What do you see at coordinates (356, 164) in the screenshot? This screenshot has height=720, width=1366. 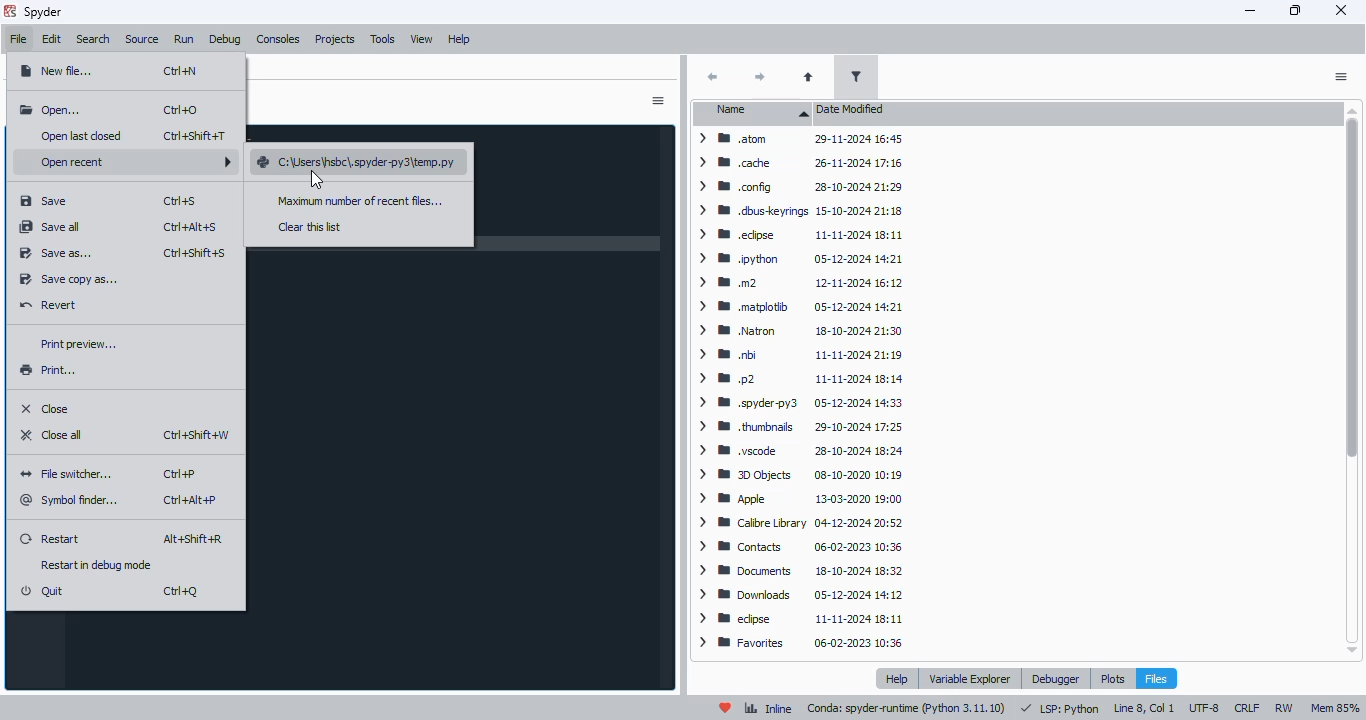 I see `temporary file` at bounding box center [356, 164].